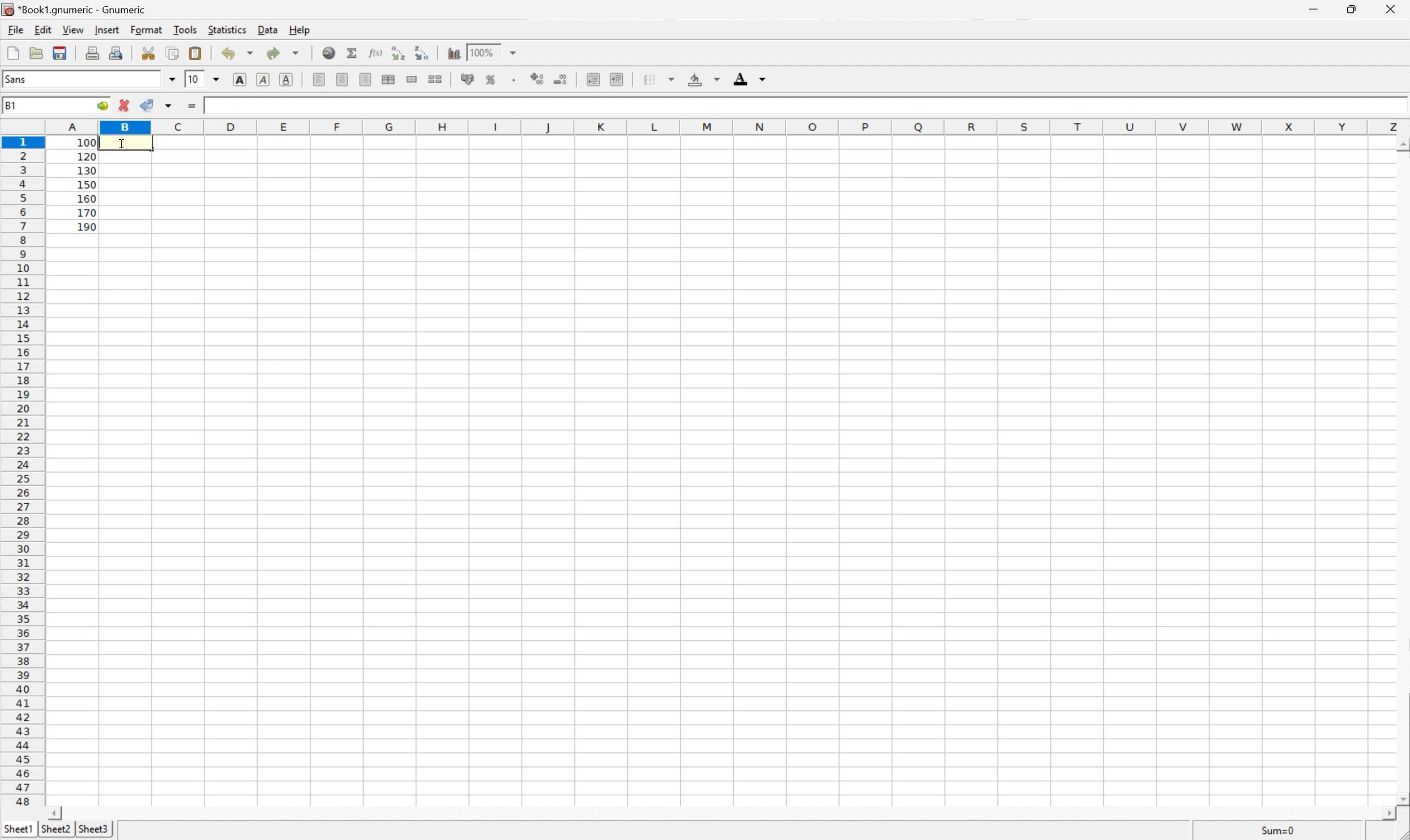 The height and width of the screenshot is (840, 1410). I want to click on Cancel changes, so click(127, 105).